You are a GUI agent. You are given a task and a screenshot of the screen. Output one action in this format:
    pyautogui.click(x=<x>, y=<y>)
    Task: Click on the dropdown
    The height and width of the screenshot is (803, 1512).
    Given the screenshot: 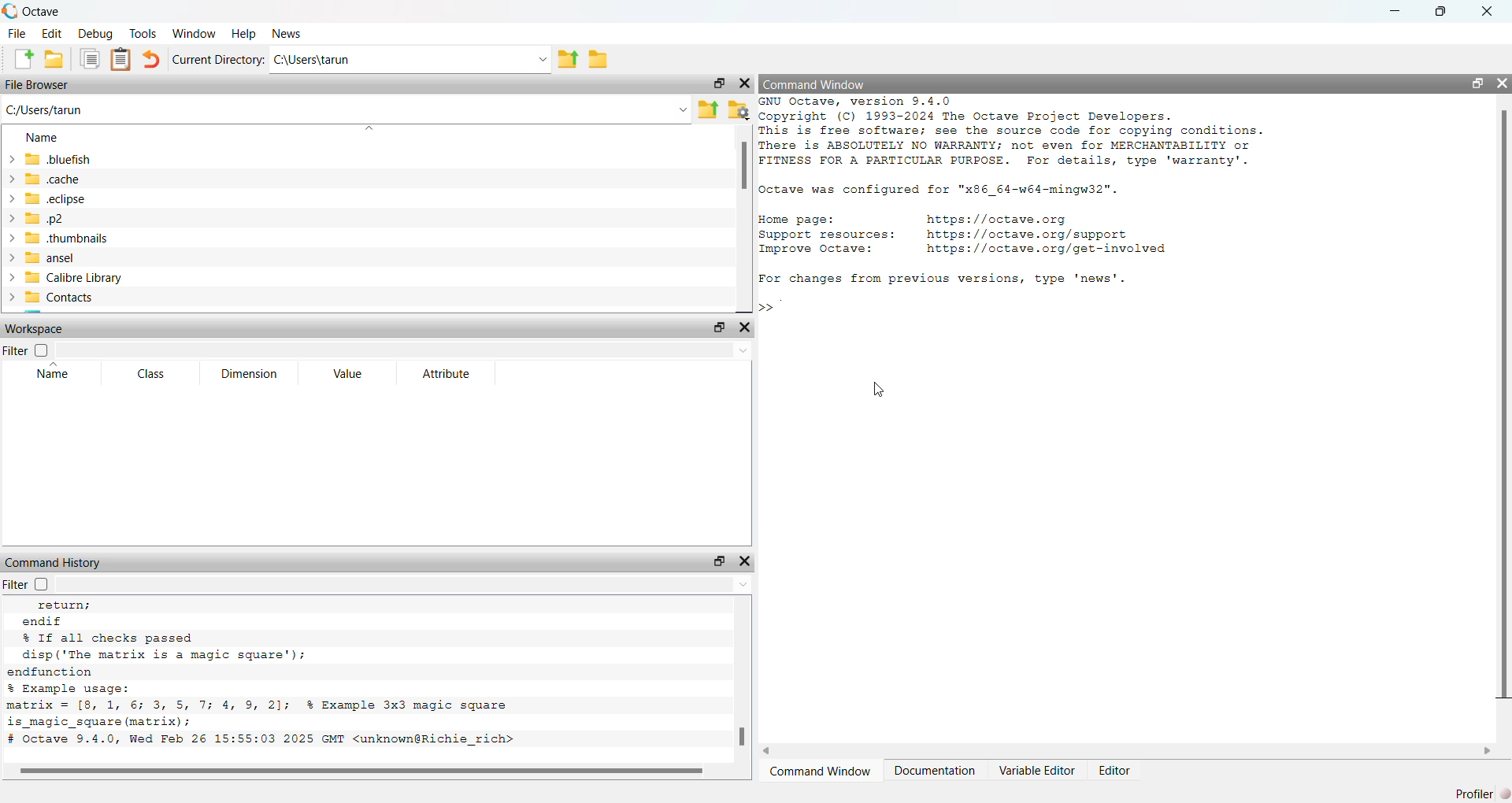 What is the action you would take?
    pyautogui.click(x=680, y=109)
    